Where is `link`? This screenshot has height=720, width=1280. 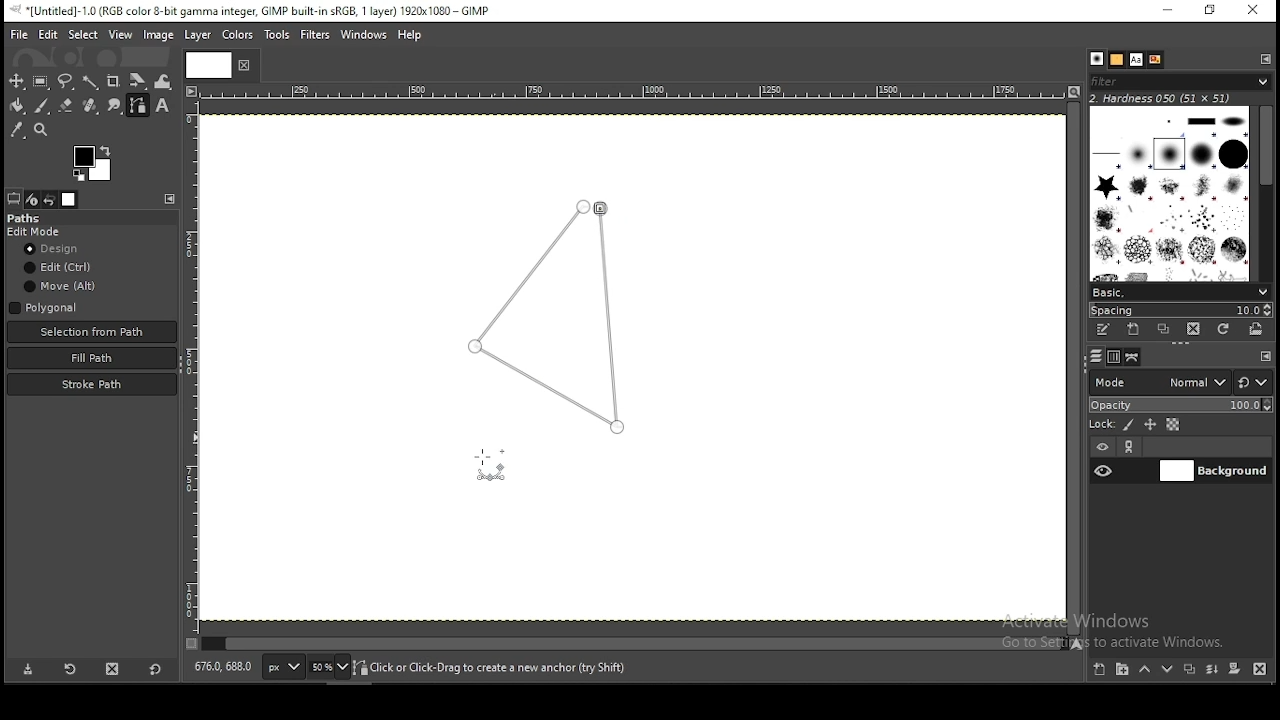
link is located at coordinates (1131, 447).